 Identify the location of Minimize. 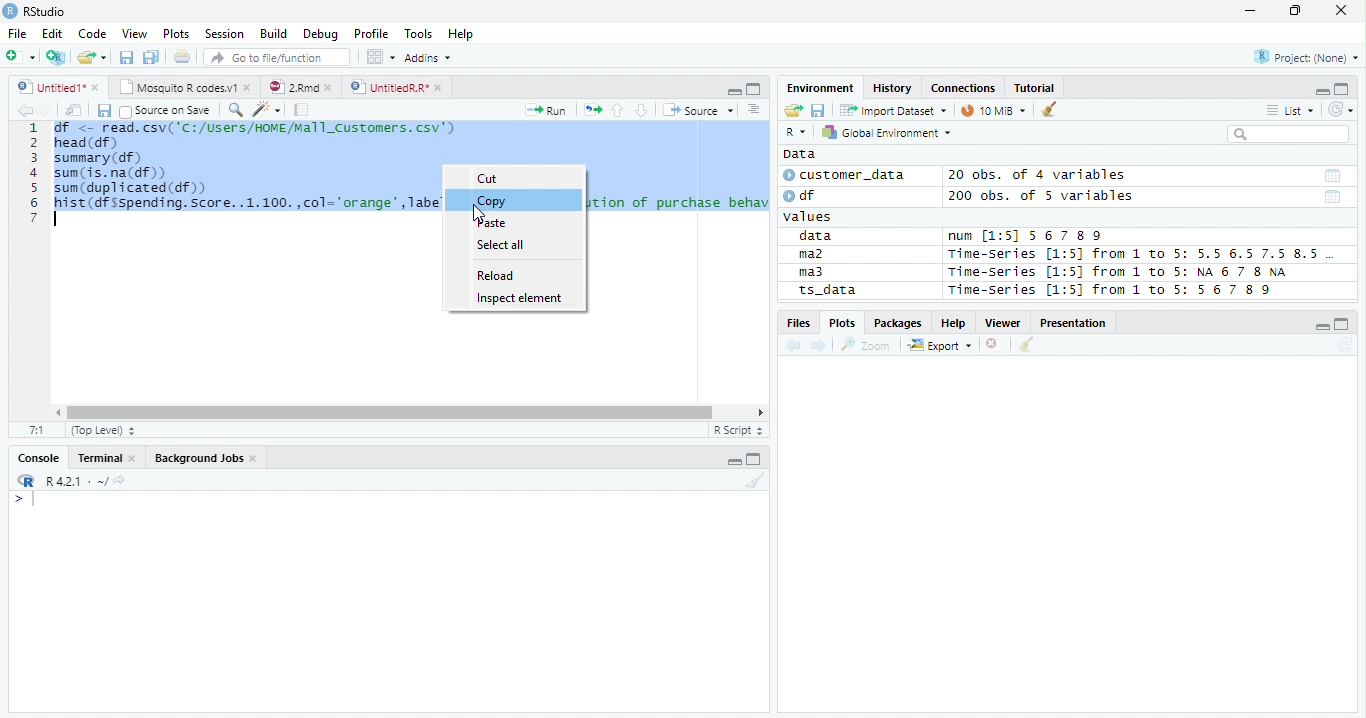
(732, 90).